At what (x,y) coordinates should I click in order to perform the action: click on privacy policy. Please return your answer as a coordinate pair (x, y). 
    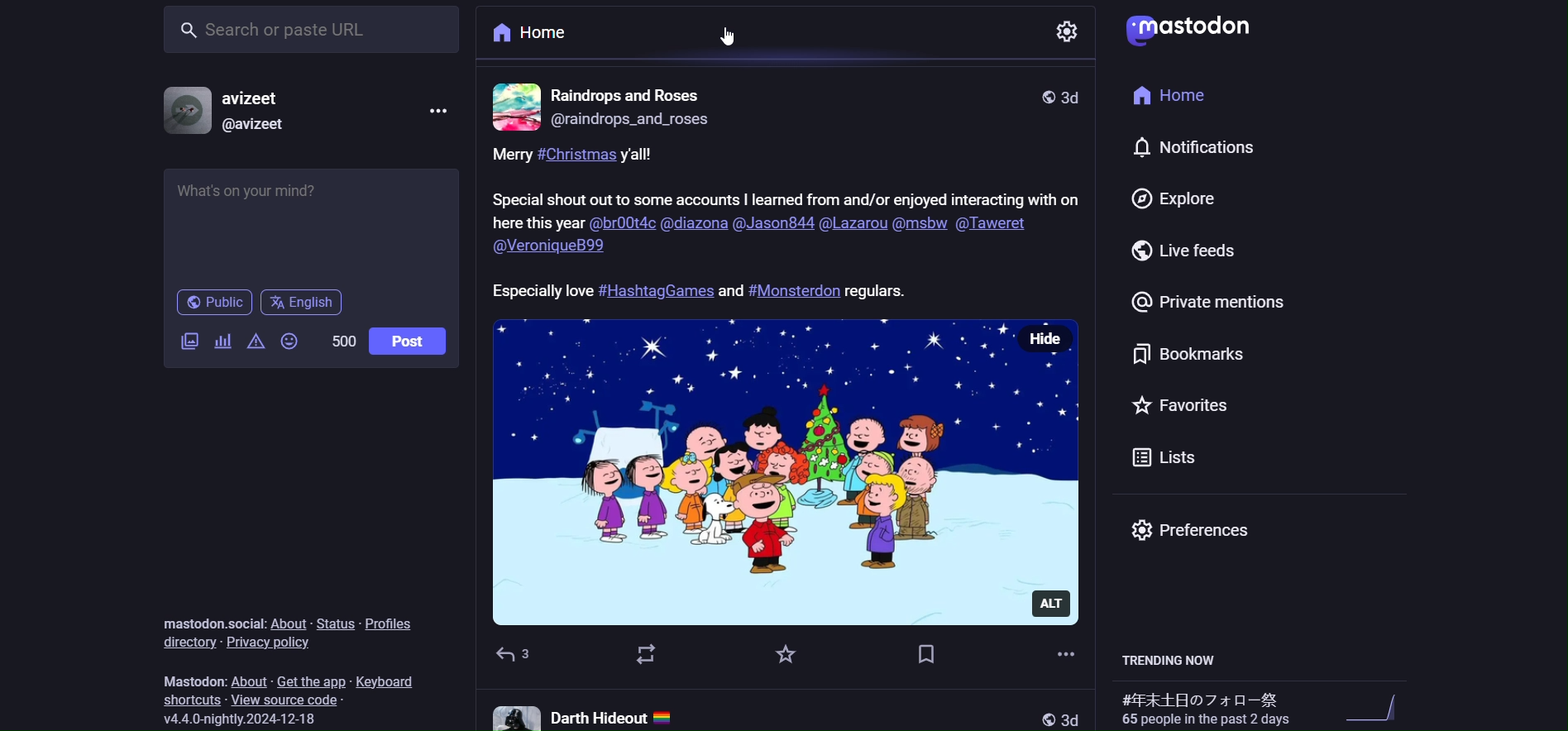
    Looking at the image, I should click on (271, 644).